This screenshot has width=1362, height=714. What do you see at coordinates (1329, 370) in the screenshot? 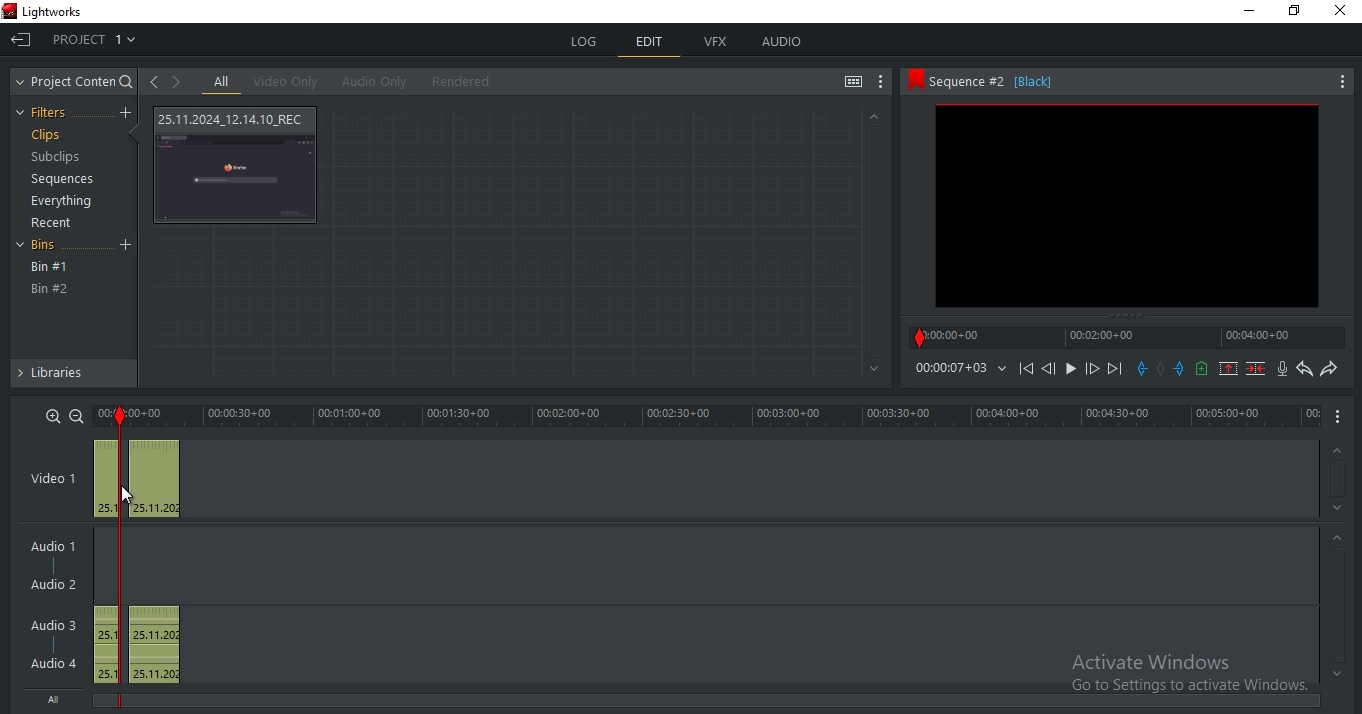
I see `redo` at bounding box center [1329, 370].